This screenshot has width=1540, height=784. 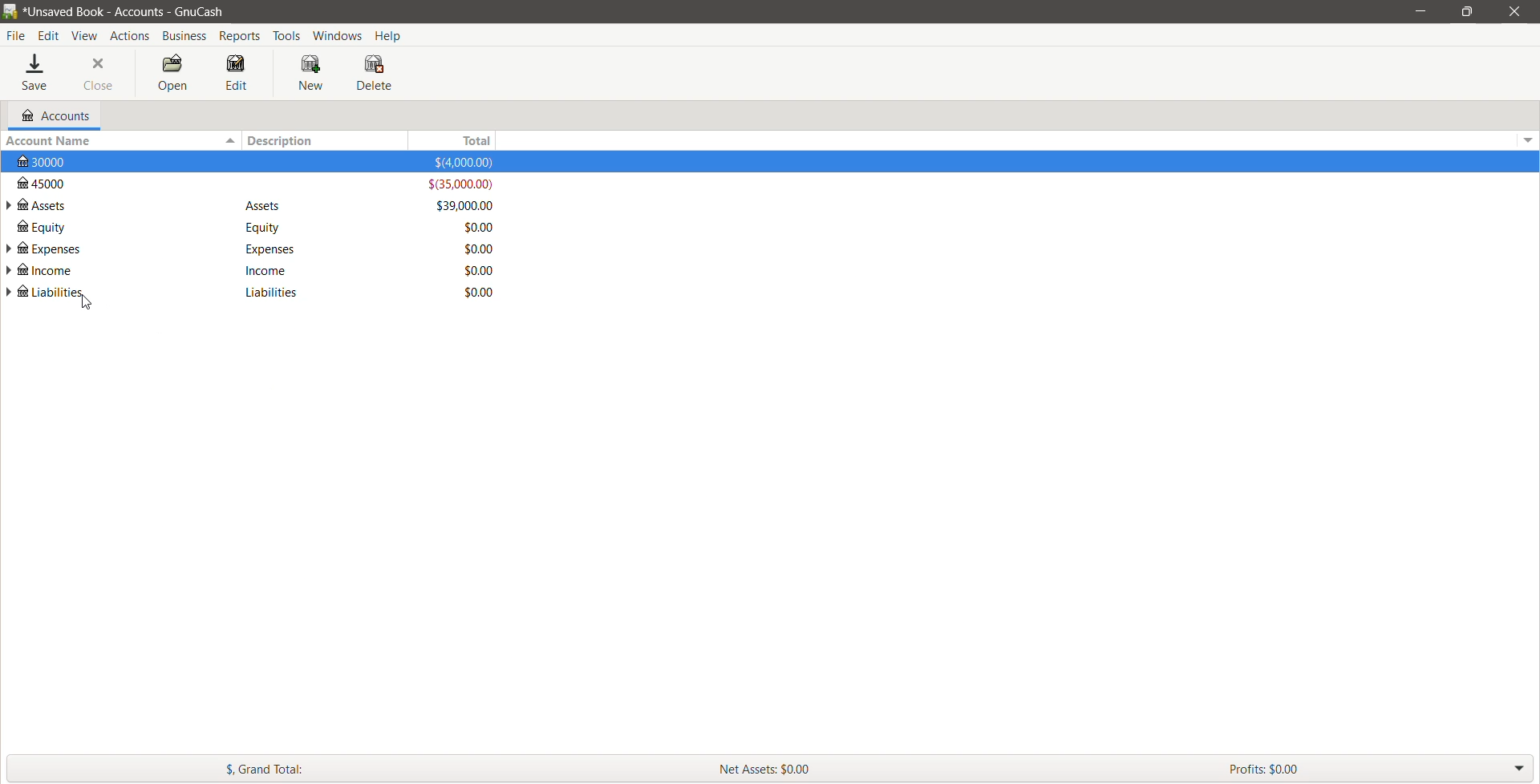 What do you see at coordinates (10, 250) in the screenshot?
I see `expand subaccounts` at bounding box center [10, 250].